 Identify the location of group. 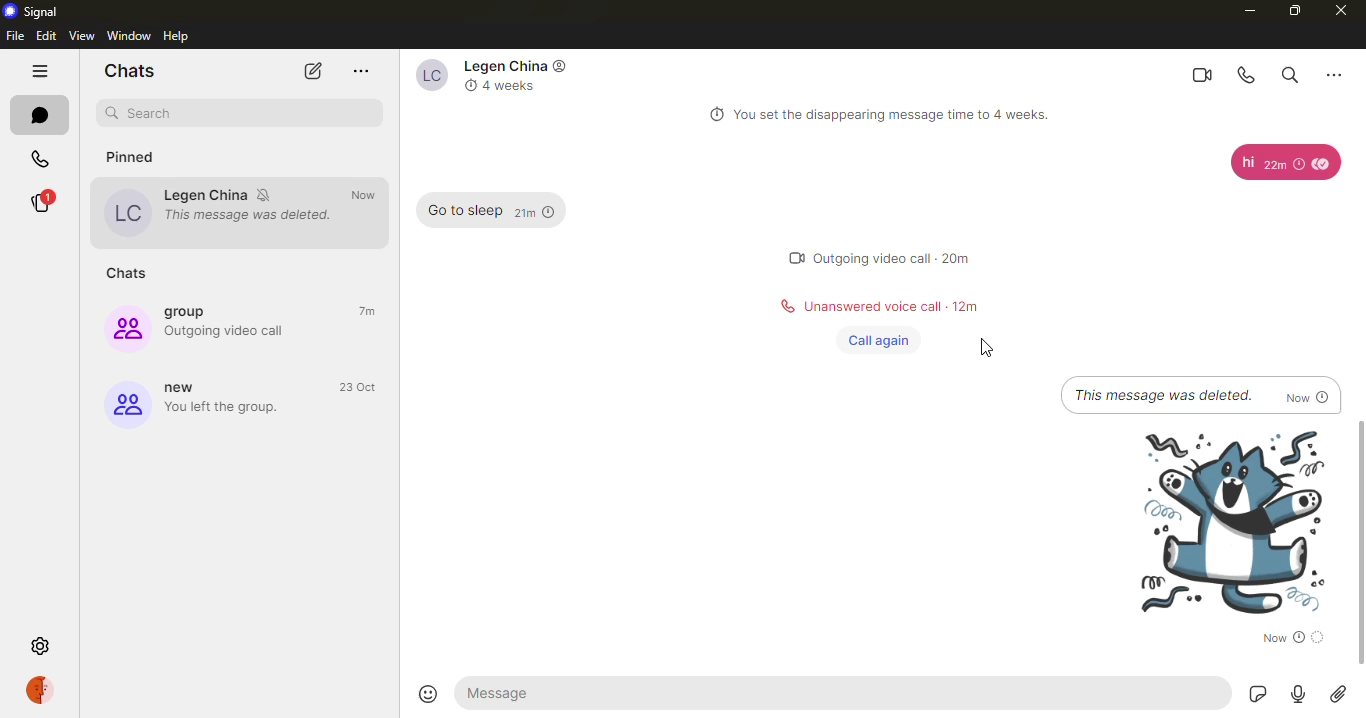
(192, 311).